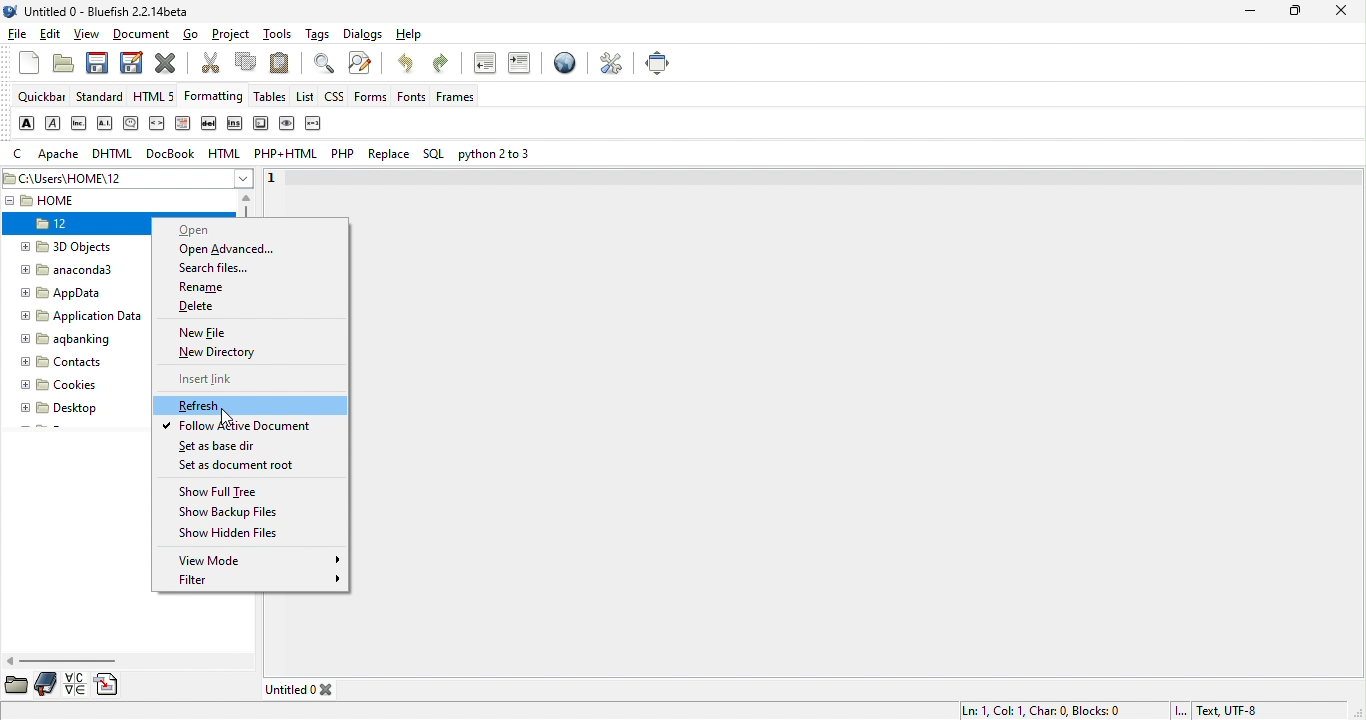 The width and height of the screenshot is (1366, 720). What do you see at coordinates (1290, 14) in the screenshot?
I see `maximize` at bounding box center [1290, 14].